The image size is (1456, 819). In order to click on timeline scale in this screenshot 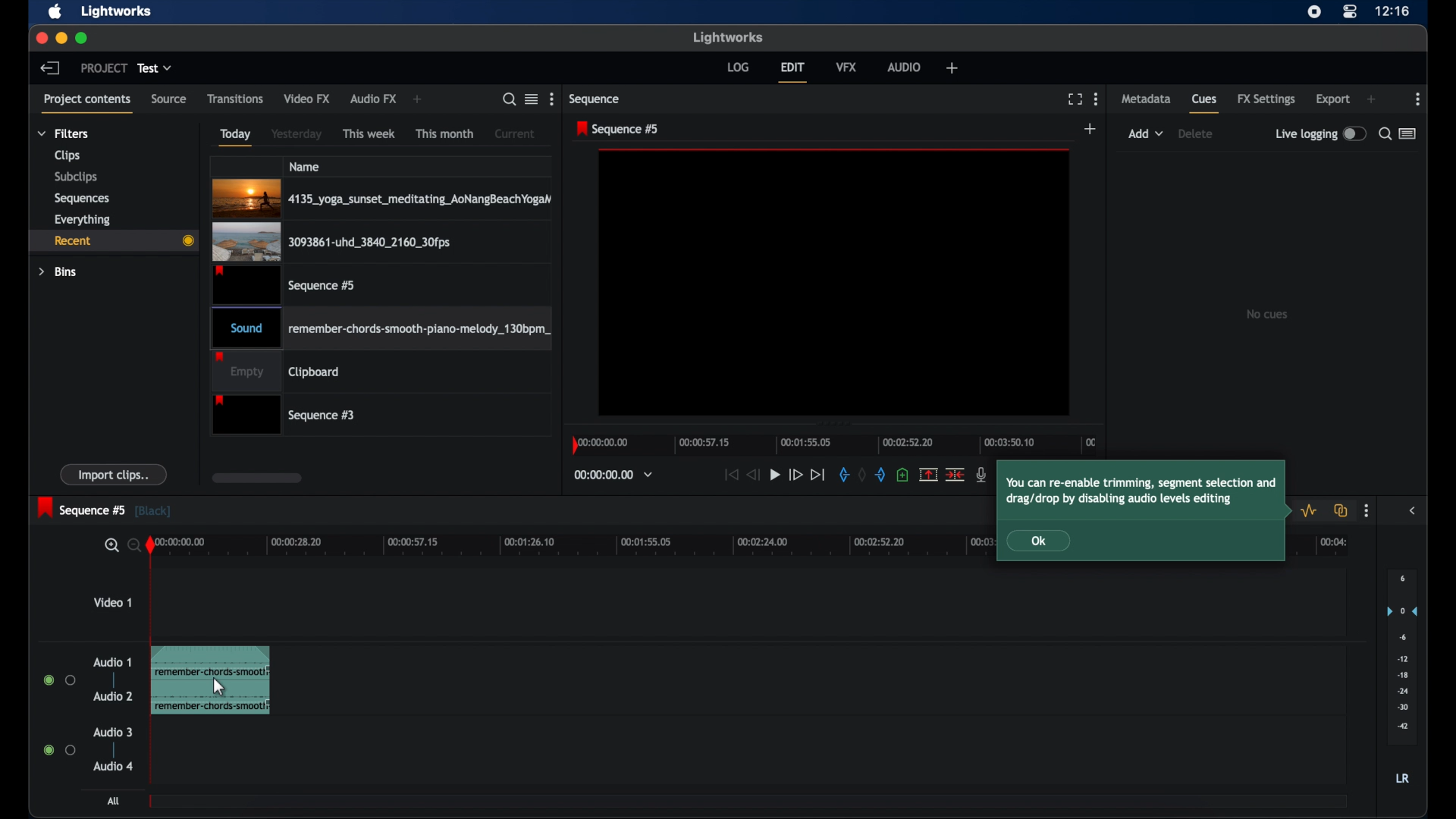, I will do `click(570, 547)`.